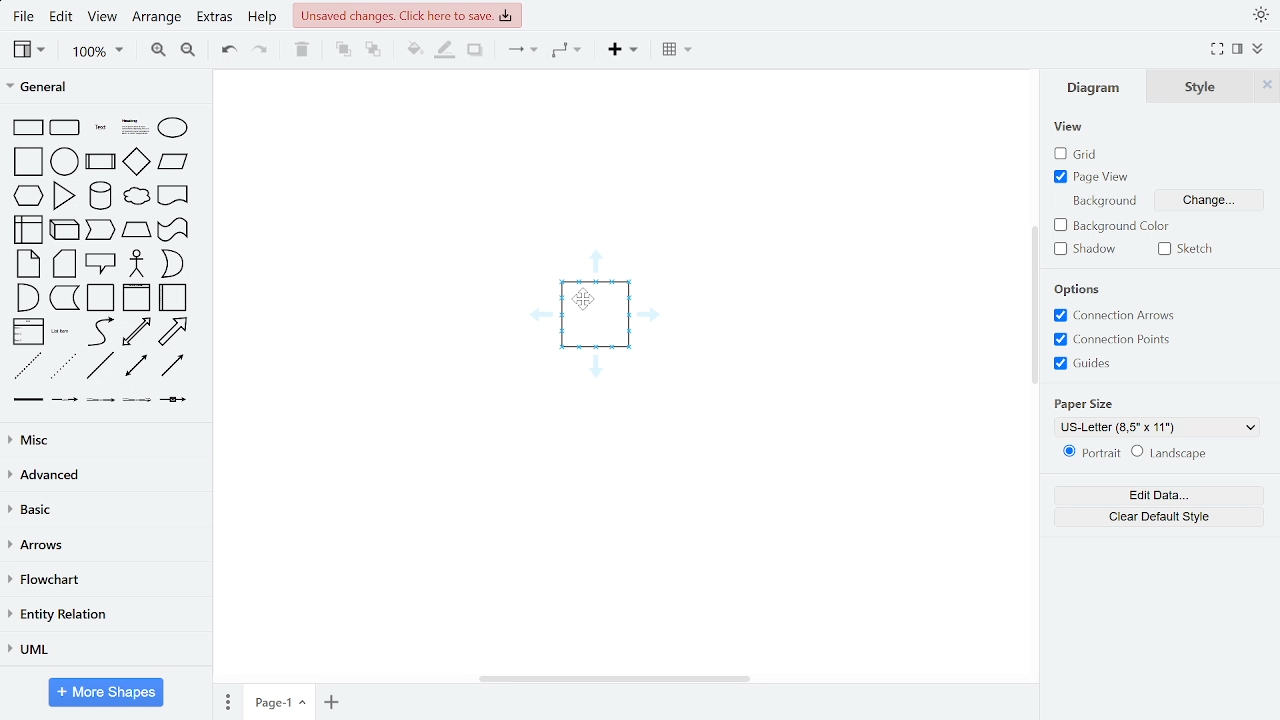 The image size is (1280, 720). What do you see at coordinates (1078, 155) in the screenshot?
I see `grid` at bounding box center [1078, 155].